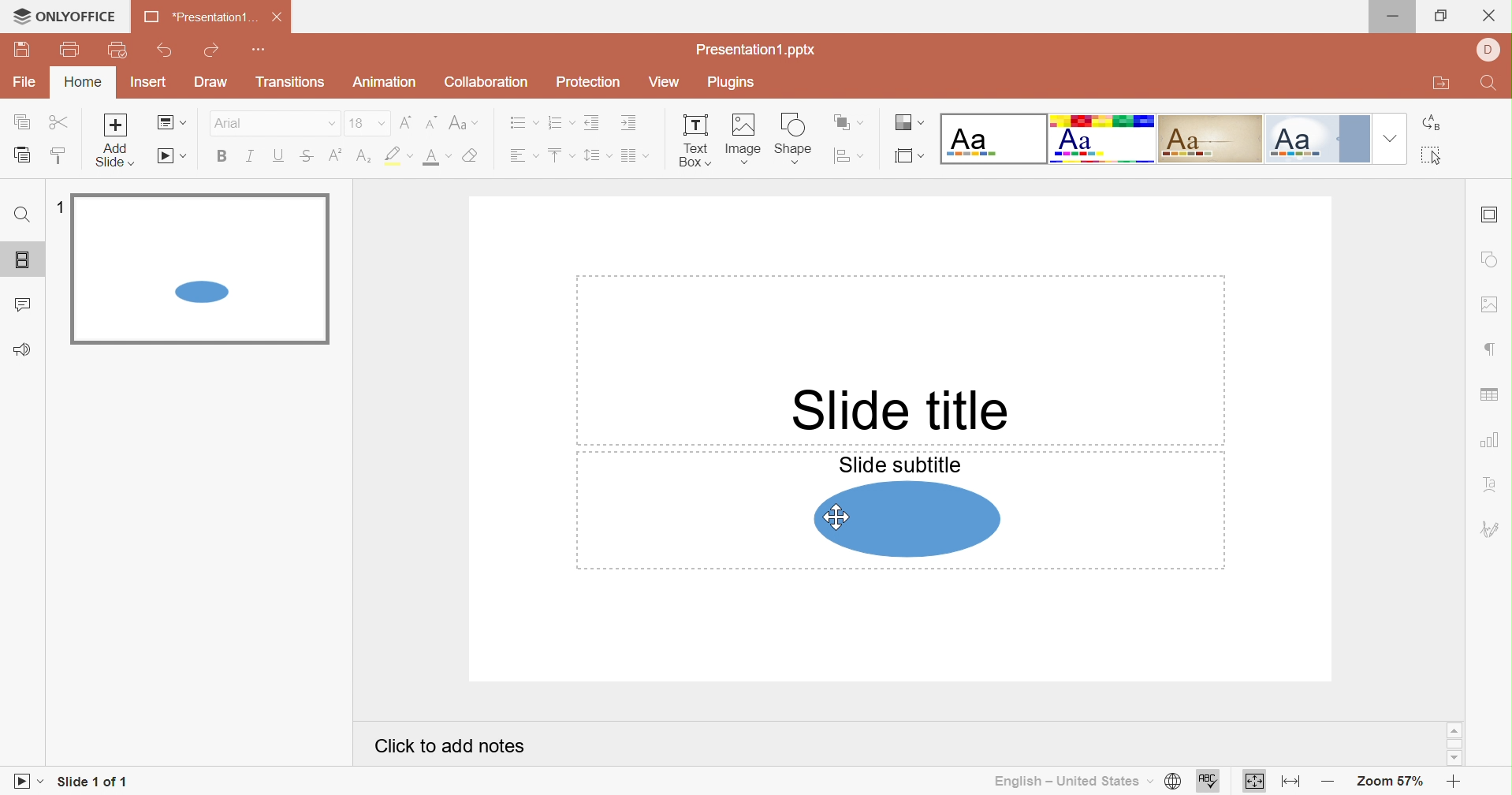  Describe the element at coordinates (71, 50) in the screenshot. I see `Print file` at that location.